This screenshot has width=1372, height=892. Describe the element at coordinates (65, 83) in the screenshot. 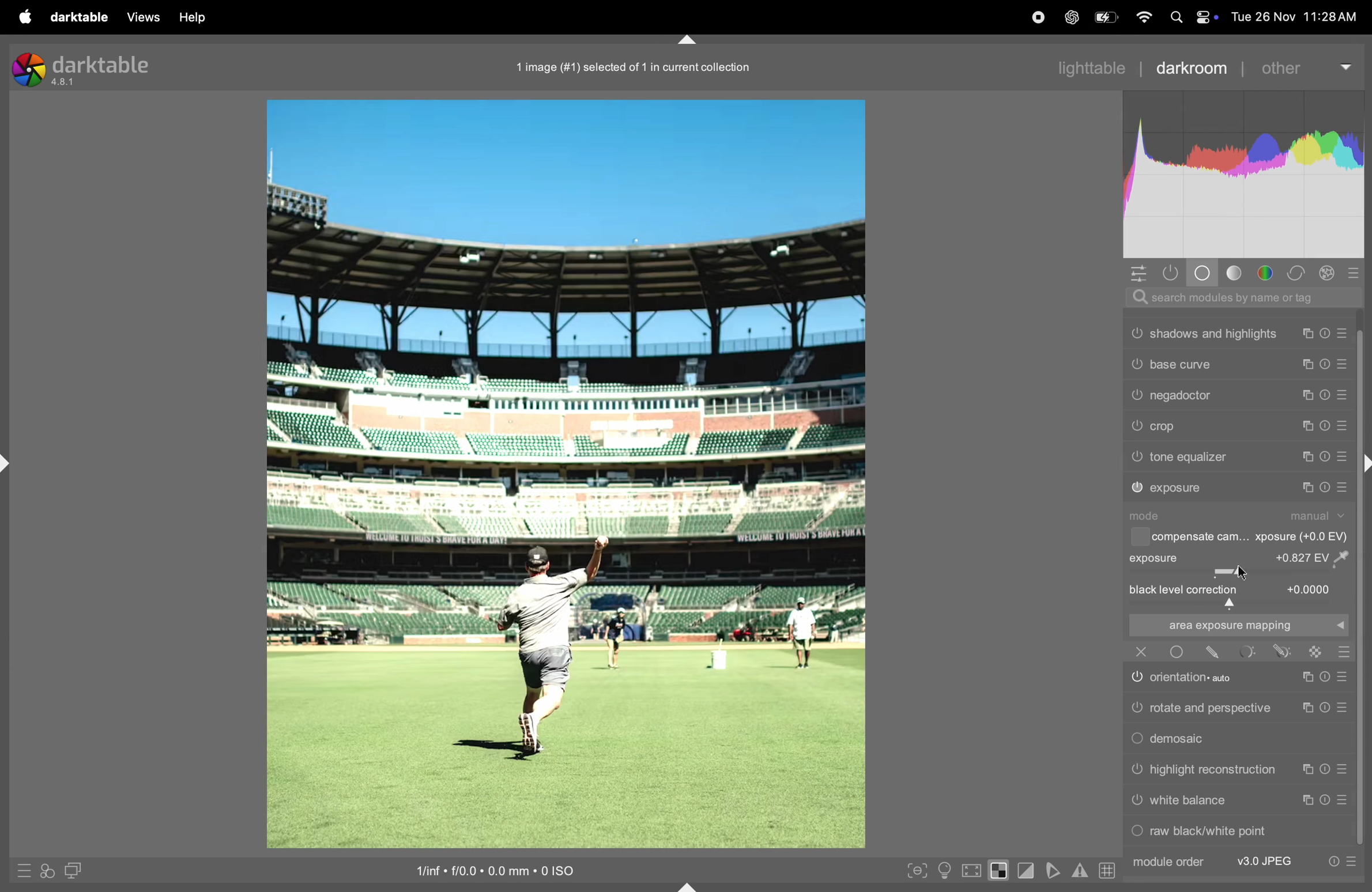

I see `version` at that location.